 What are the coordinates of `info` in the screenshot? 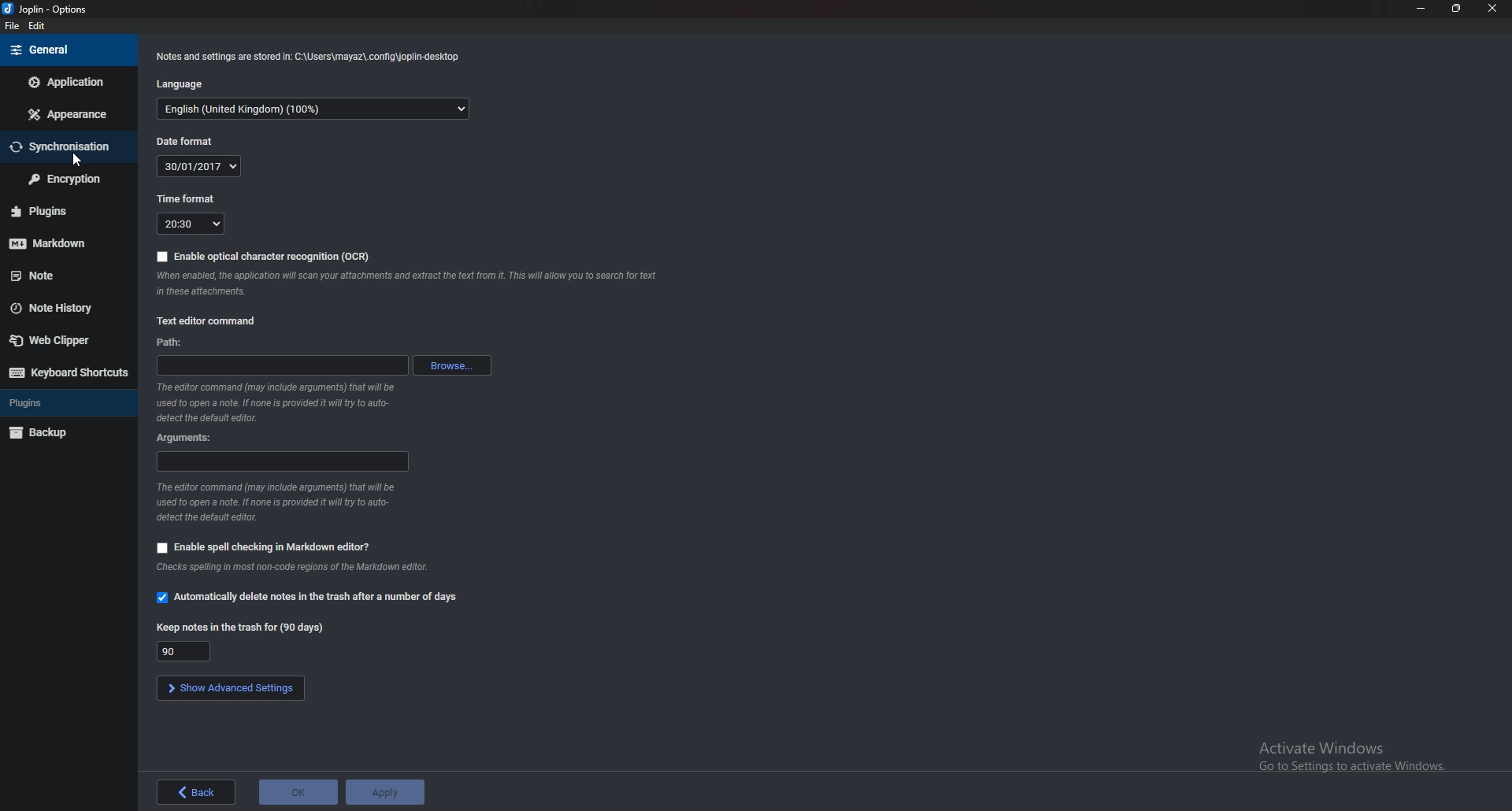 It's located at (406, 284).